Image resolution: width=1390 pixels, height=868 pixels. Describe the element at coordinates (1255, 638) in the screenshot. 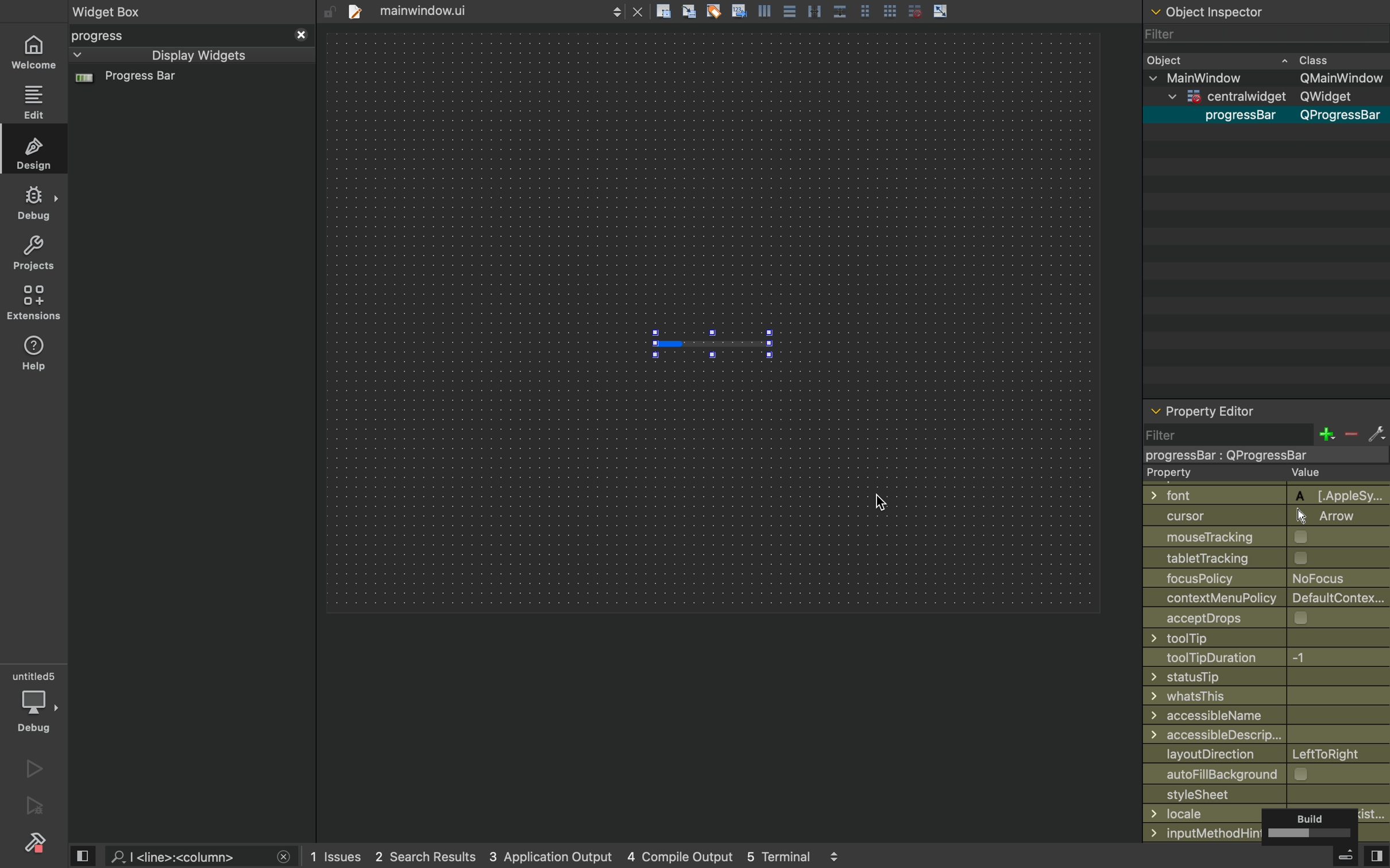

I see `tooltip` at that location.